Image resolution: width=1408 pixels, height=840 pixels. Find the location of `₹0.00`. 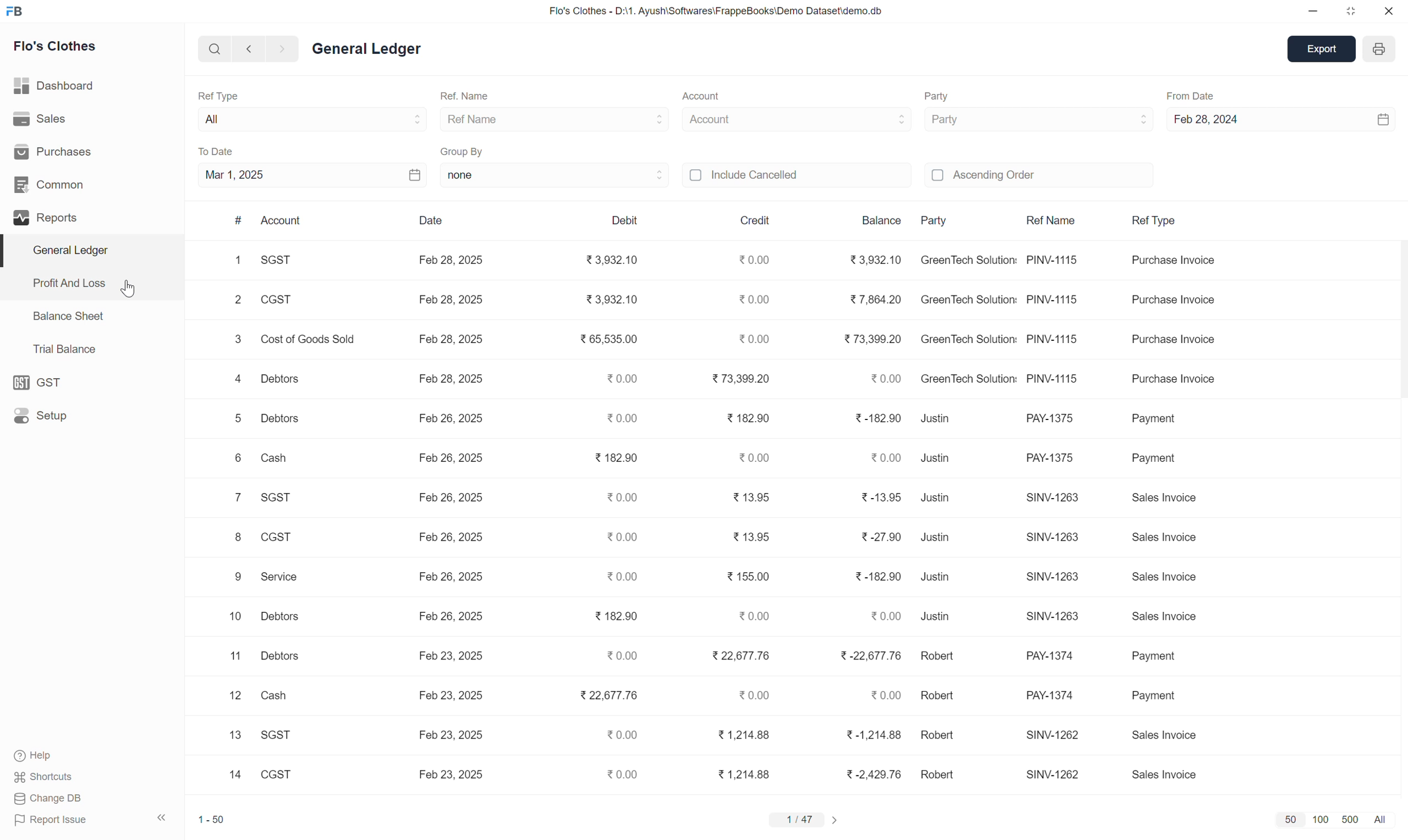

₹0.00 is located at coordinates (761, 620).